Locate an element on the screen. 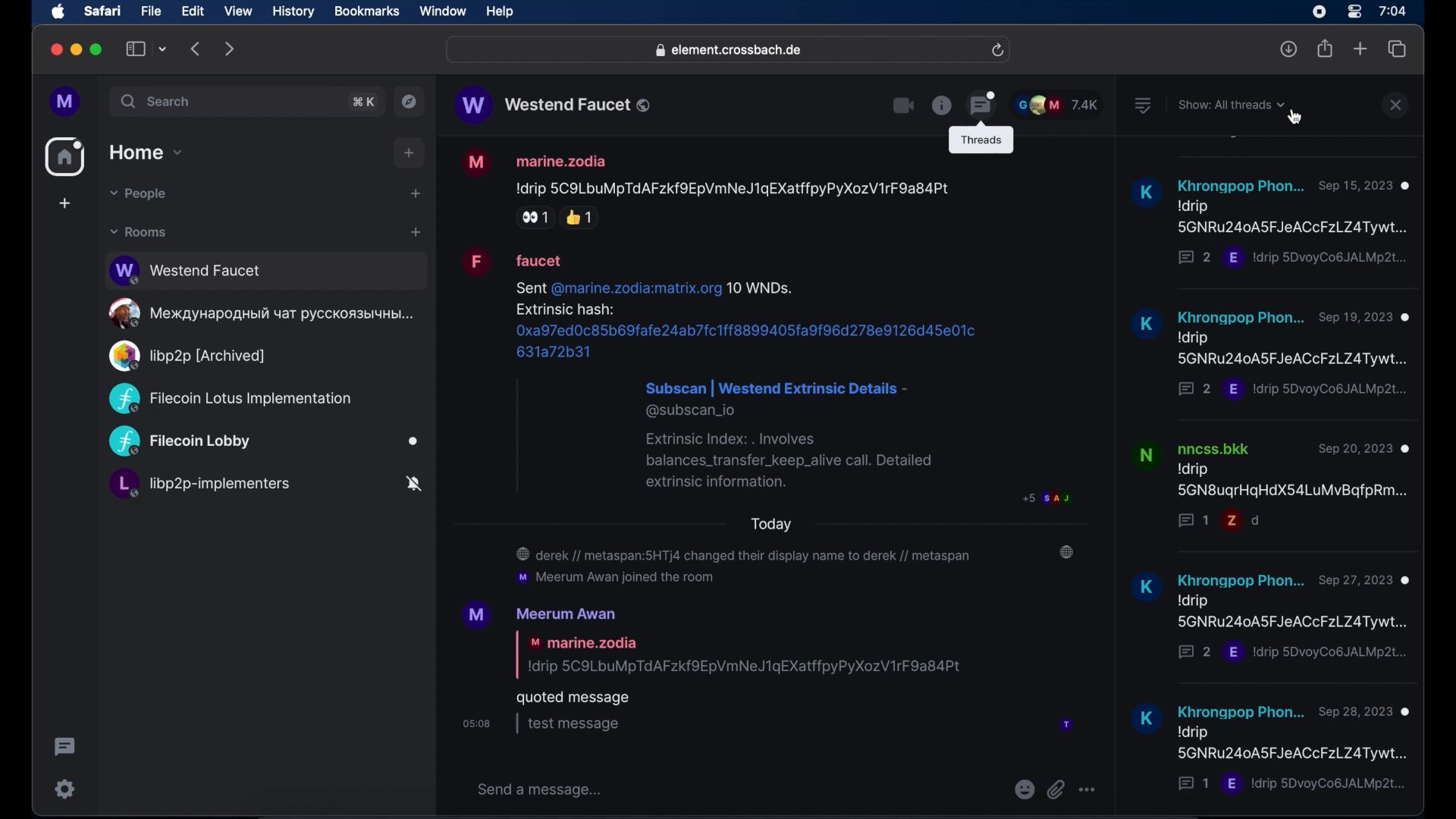 Image resolution: width=1456 pixels, height=819 pixels. threads is located at coordinates (981, 140).